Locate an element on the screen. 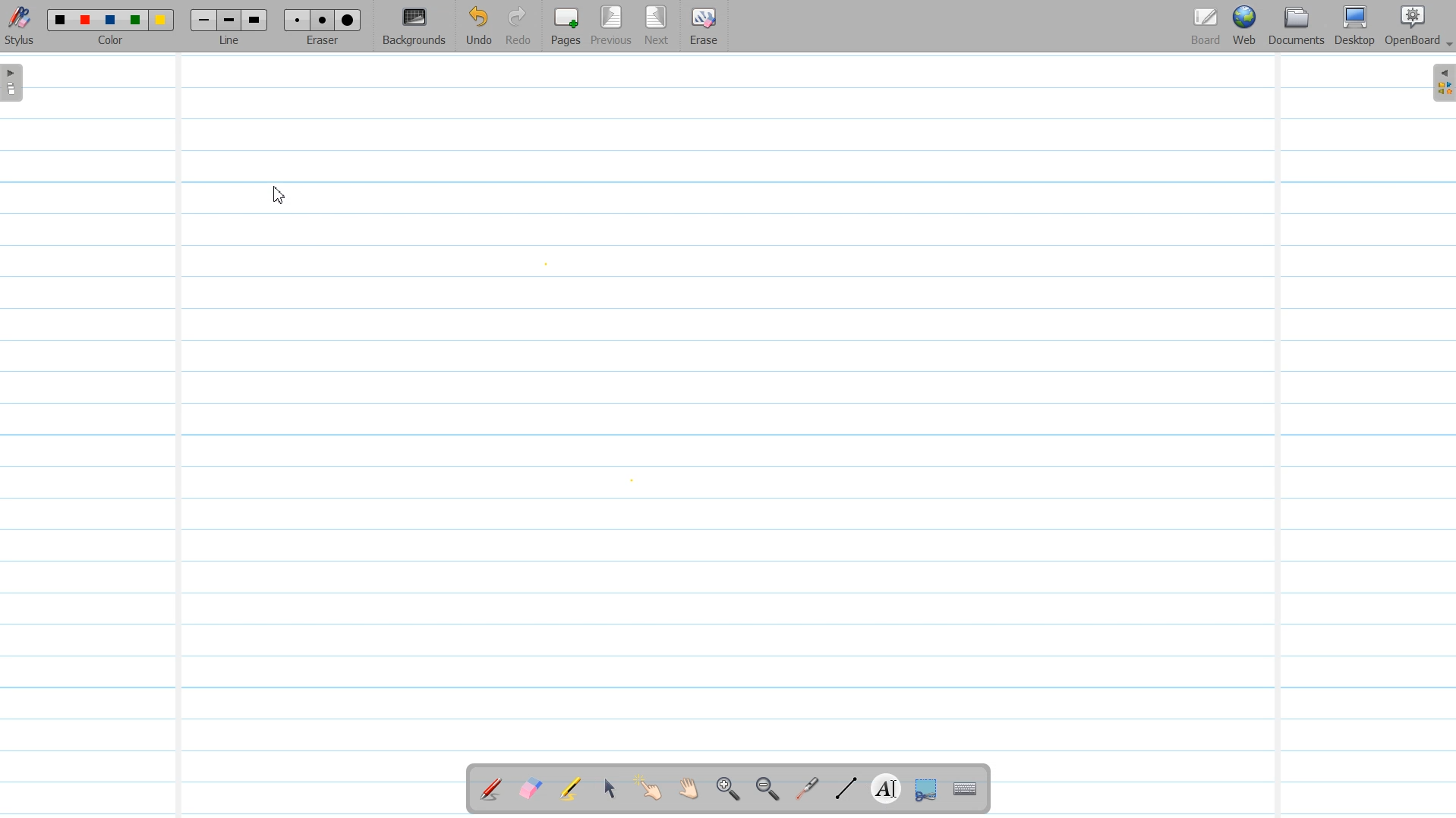 This screenshot has width=1456, height=818. Redo is located at coordinates (518, 27).